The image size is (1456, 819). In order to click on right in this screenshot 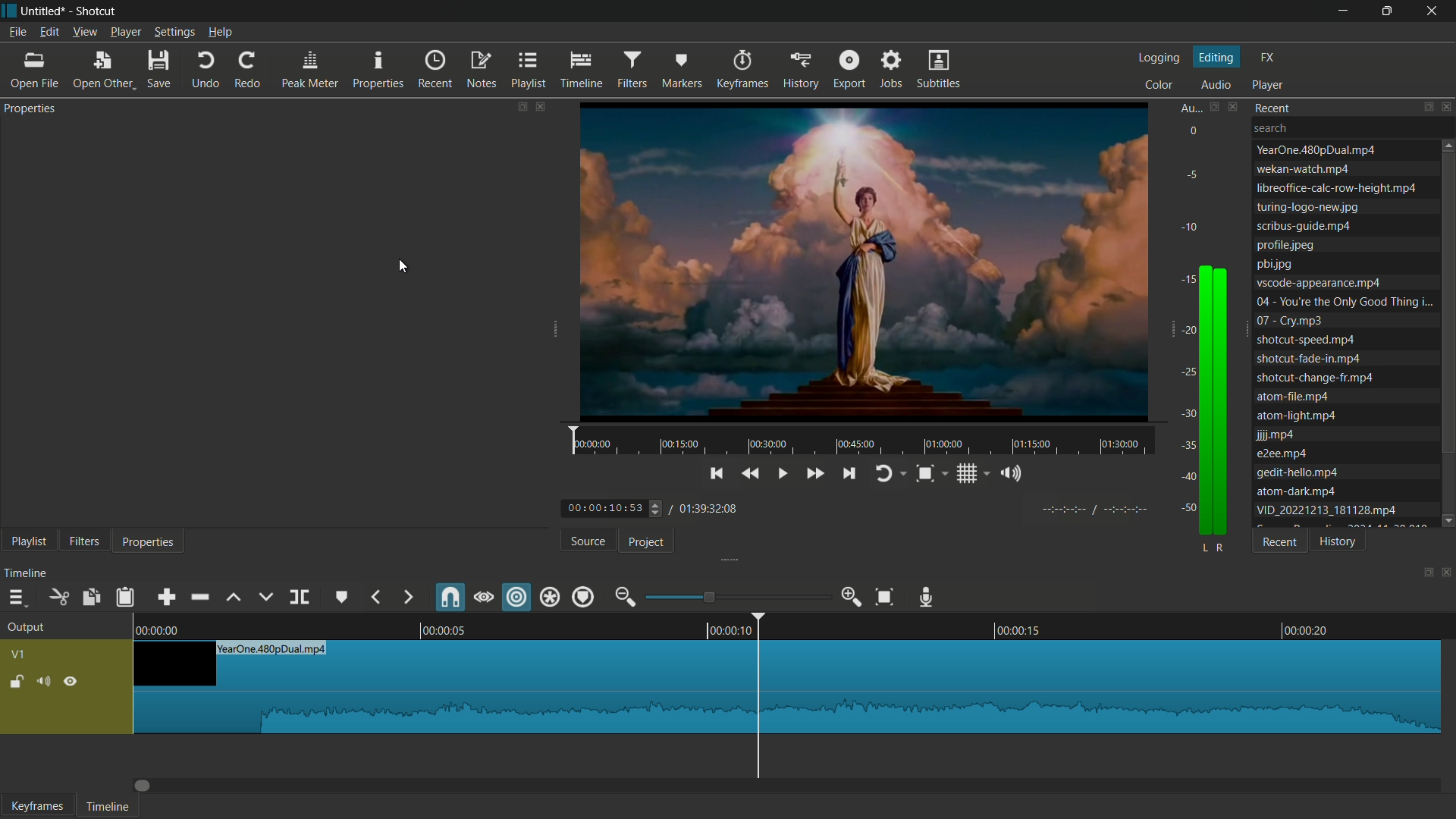, I will do `click(1224, 401)`.